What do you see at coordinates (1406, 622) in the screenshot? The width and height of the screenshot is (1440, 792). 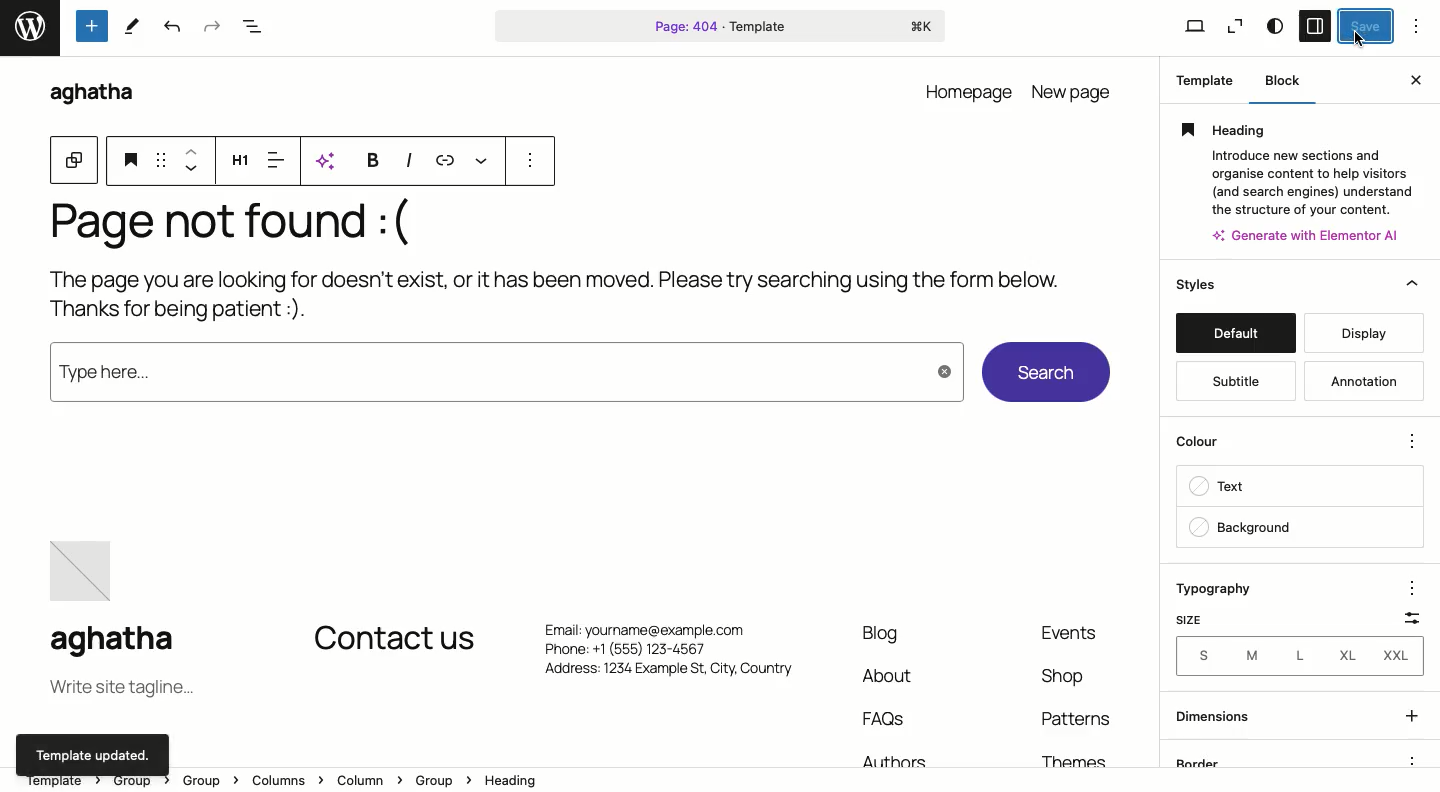 I see `Scale` at bounding box center [1406, 622].